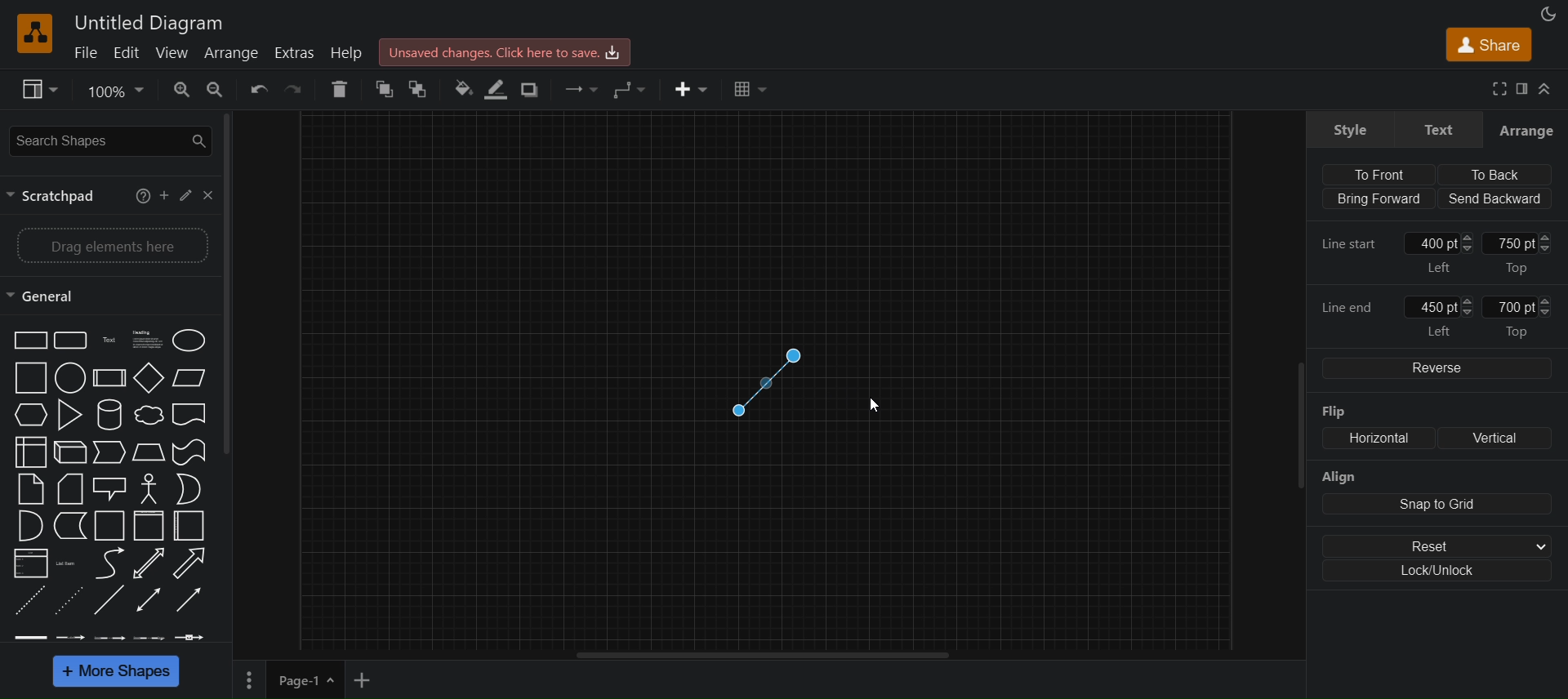 The image size is (1568, 699). What do you see at coordinates (176, 52) in the screenshot?
I see `view` at bounding box center [176, 52].